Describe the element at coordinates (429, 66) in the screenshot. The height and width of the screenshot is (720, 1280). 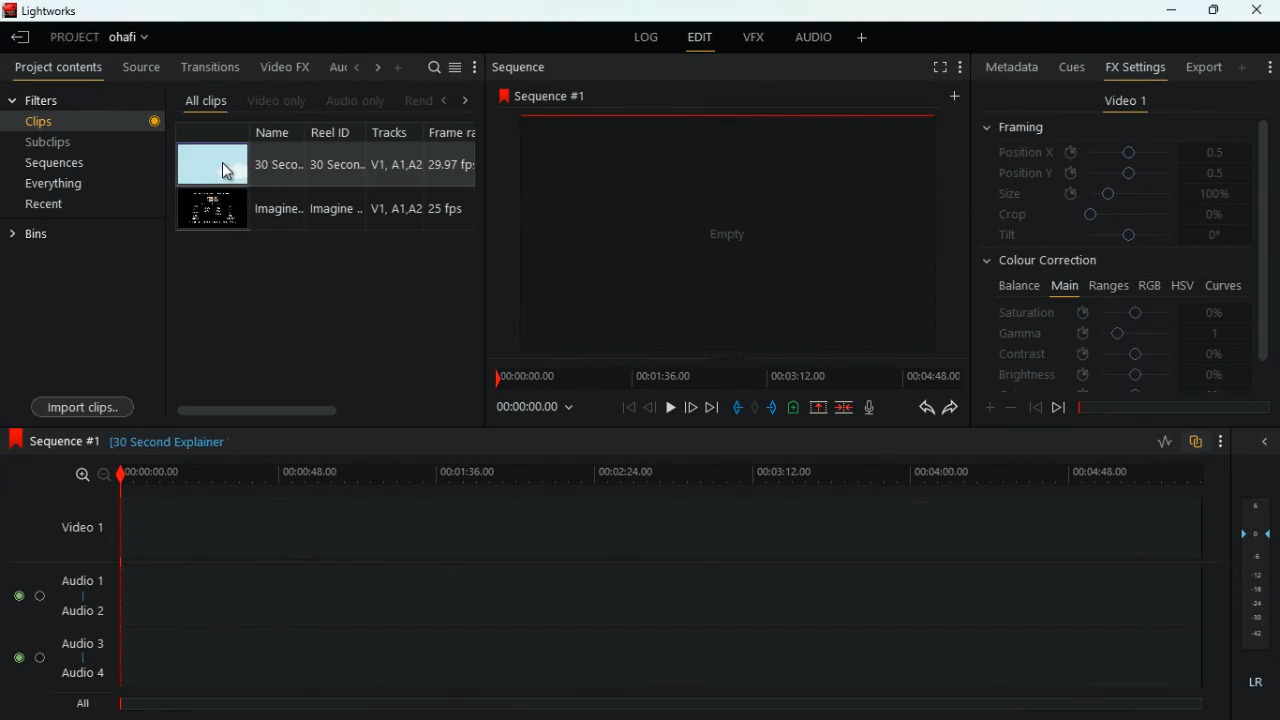
I see `search` at that location.